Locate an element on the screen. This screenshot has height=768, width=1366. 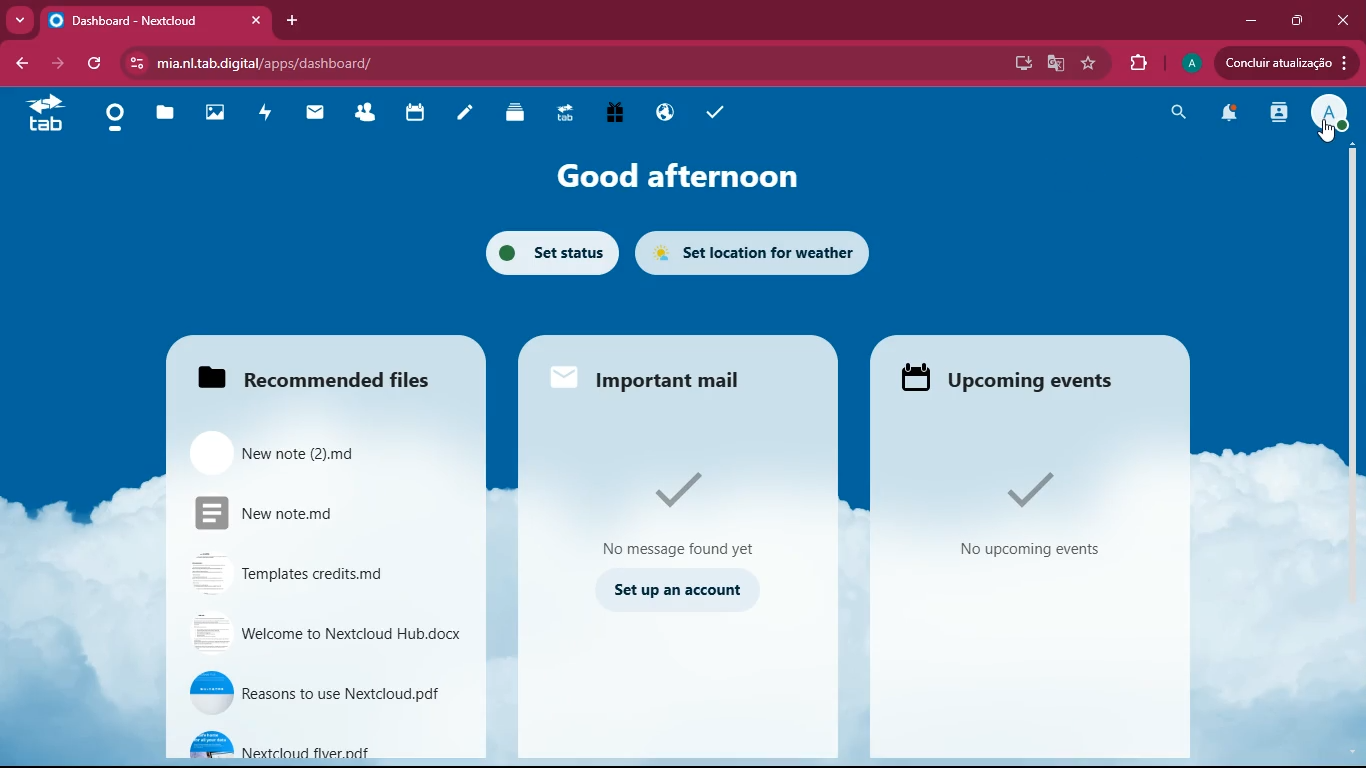
minimize is located at coordinates (1250, 21).